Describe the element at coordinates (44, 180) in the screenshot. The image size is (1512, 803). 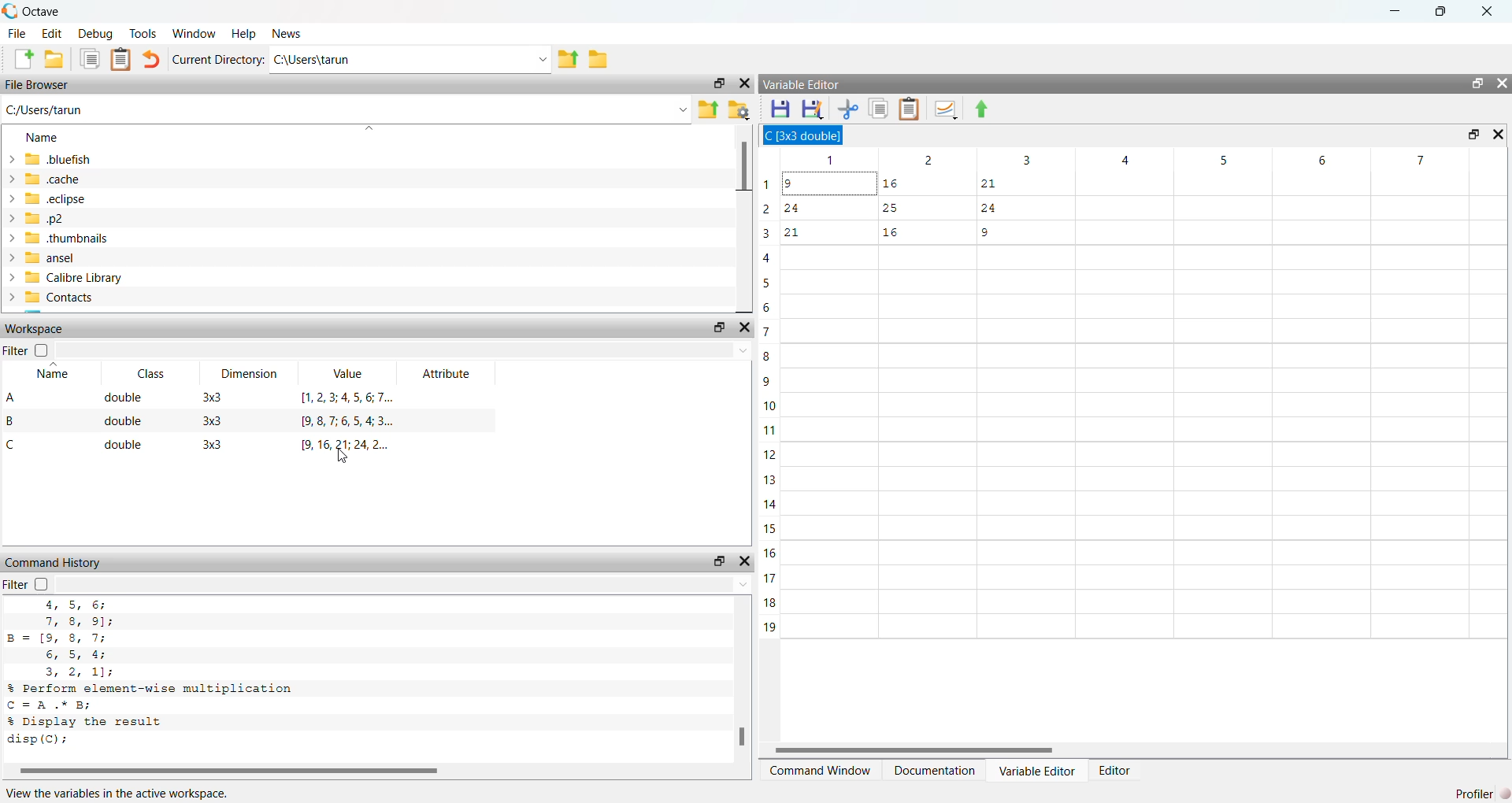
I see `cache` at that location.